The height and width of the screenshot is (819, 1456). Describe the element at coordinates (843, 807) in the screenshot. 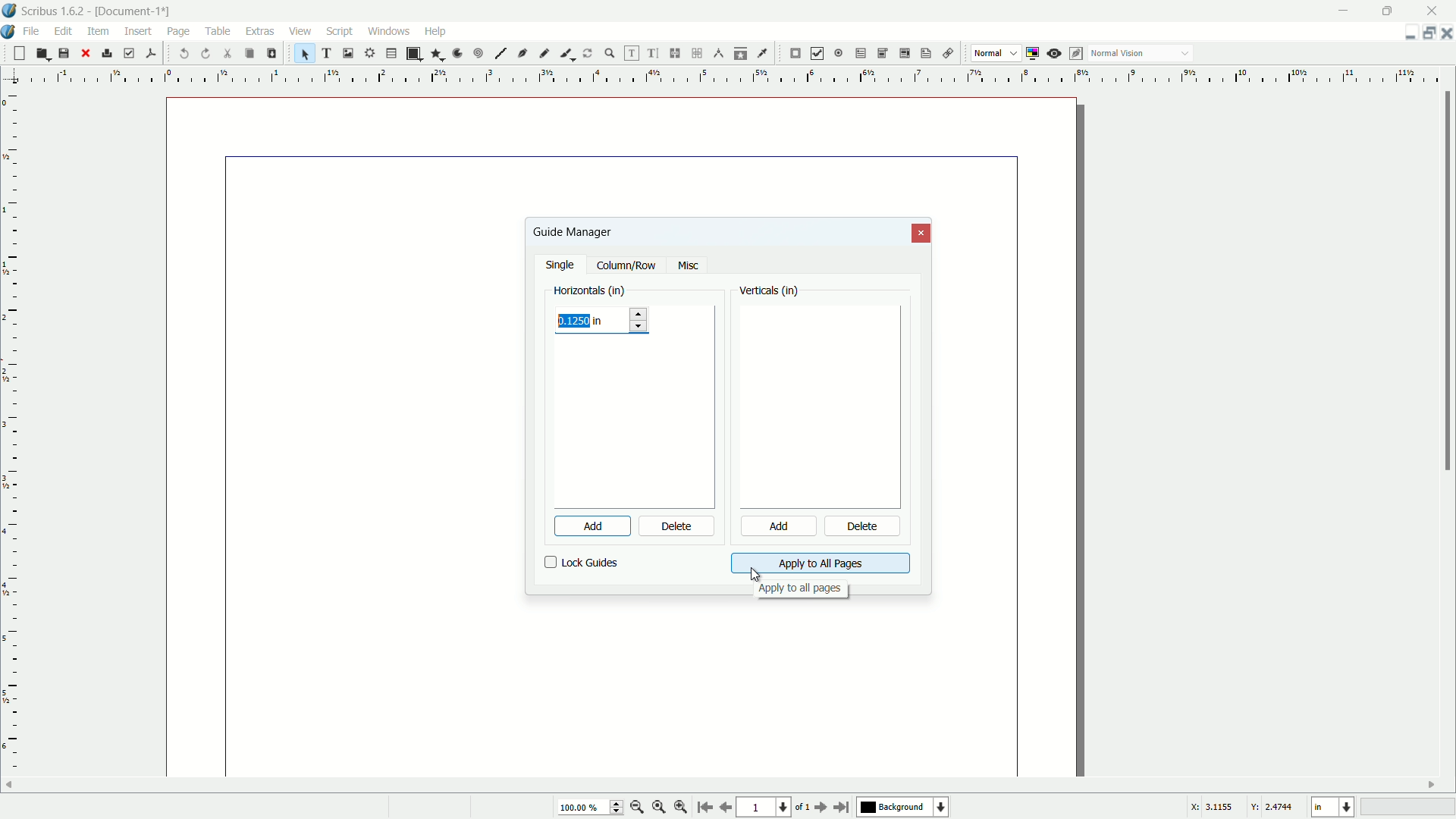

I see `go to last page` at that location.